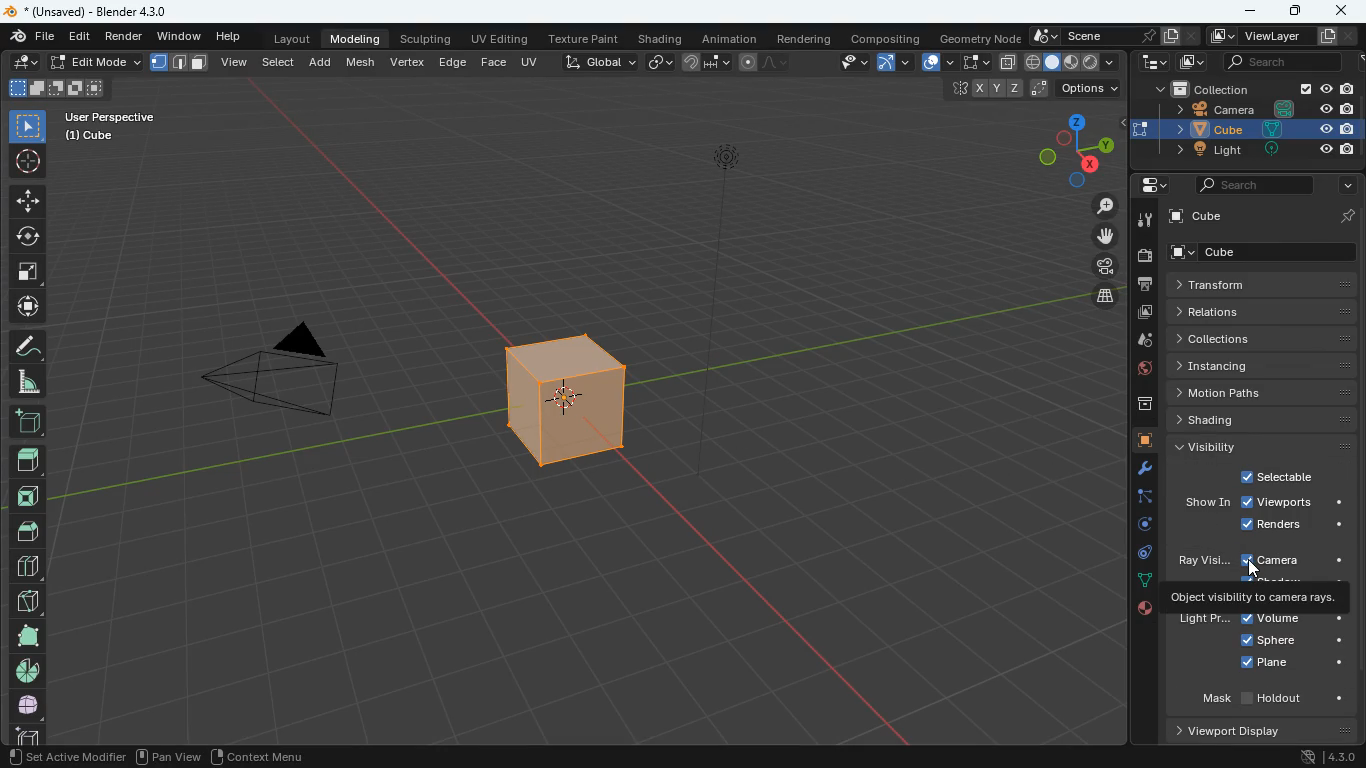 The image size is (1366, 768). Describe the element at coordinates (1323, 758) in the screenshot. I see `version` at that location.